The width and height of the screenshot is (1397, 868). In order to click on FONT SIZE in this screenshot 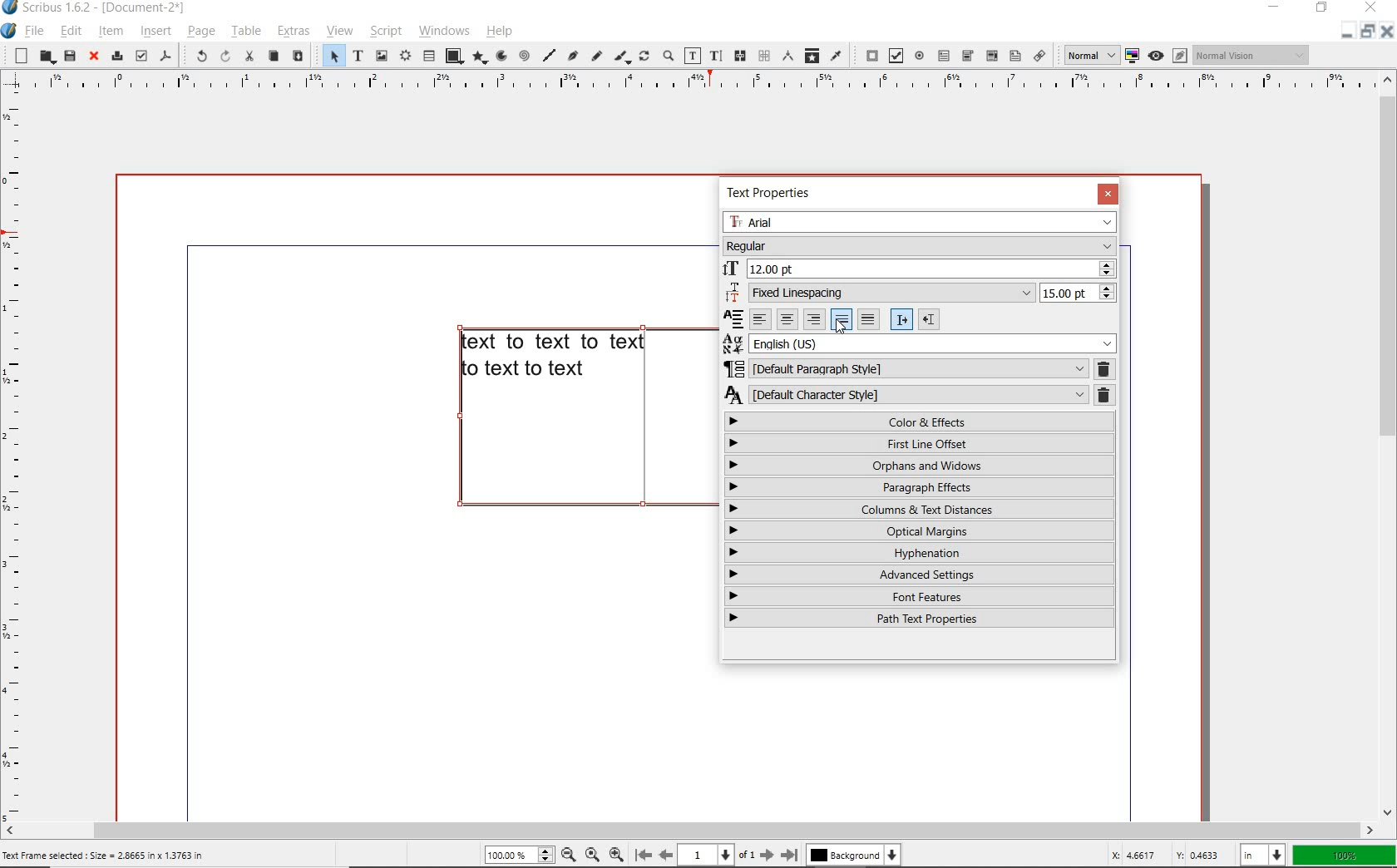, I will do `click(921, 267)`.